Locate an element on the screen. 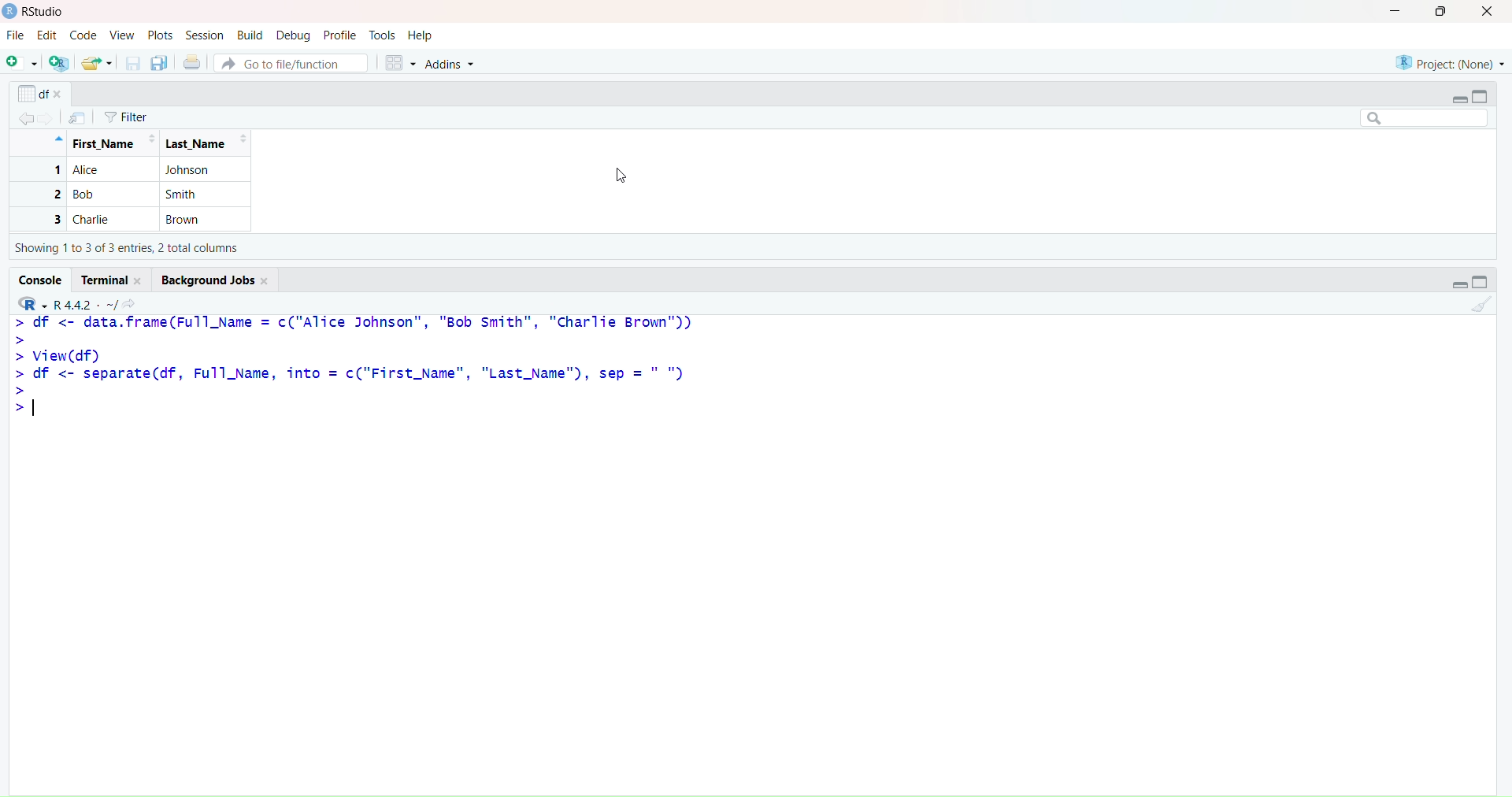  df is located at coordinates (40, 91).